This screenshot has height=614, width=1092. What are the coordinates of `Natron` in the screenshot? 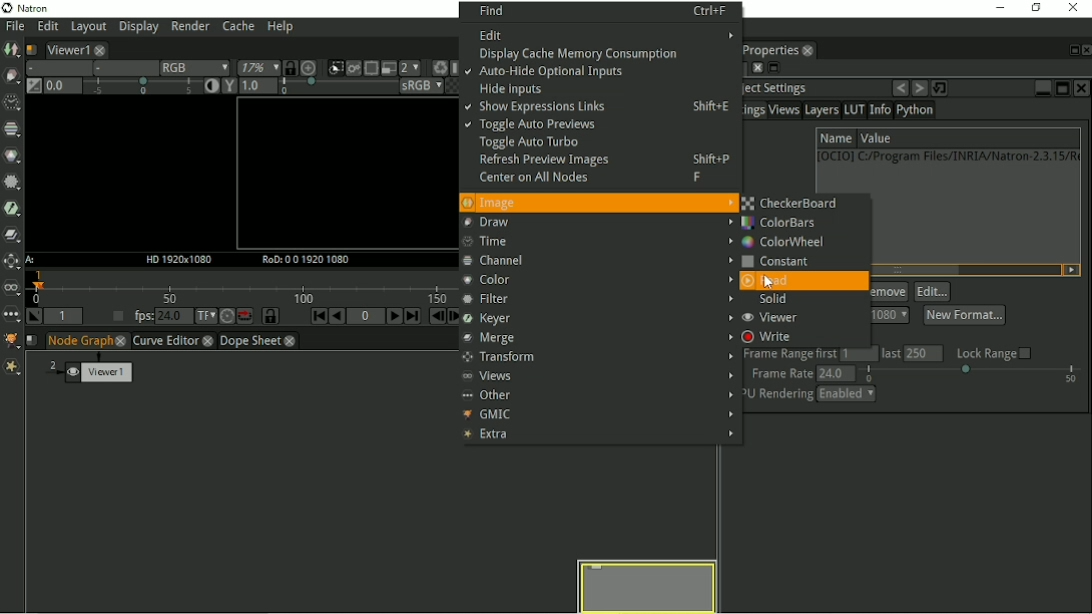 It's located at (30, 8).